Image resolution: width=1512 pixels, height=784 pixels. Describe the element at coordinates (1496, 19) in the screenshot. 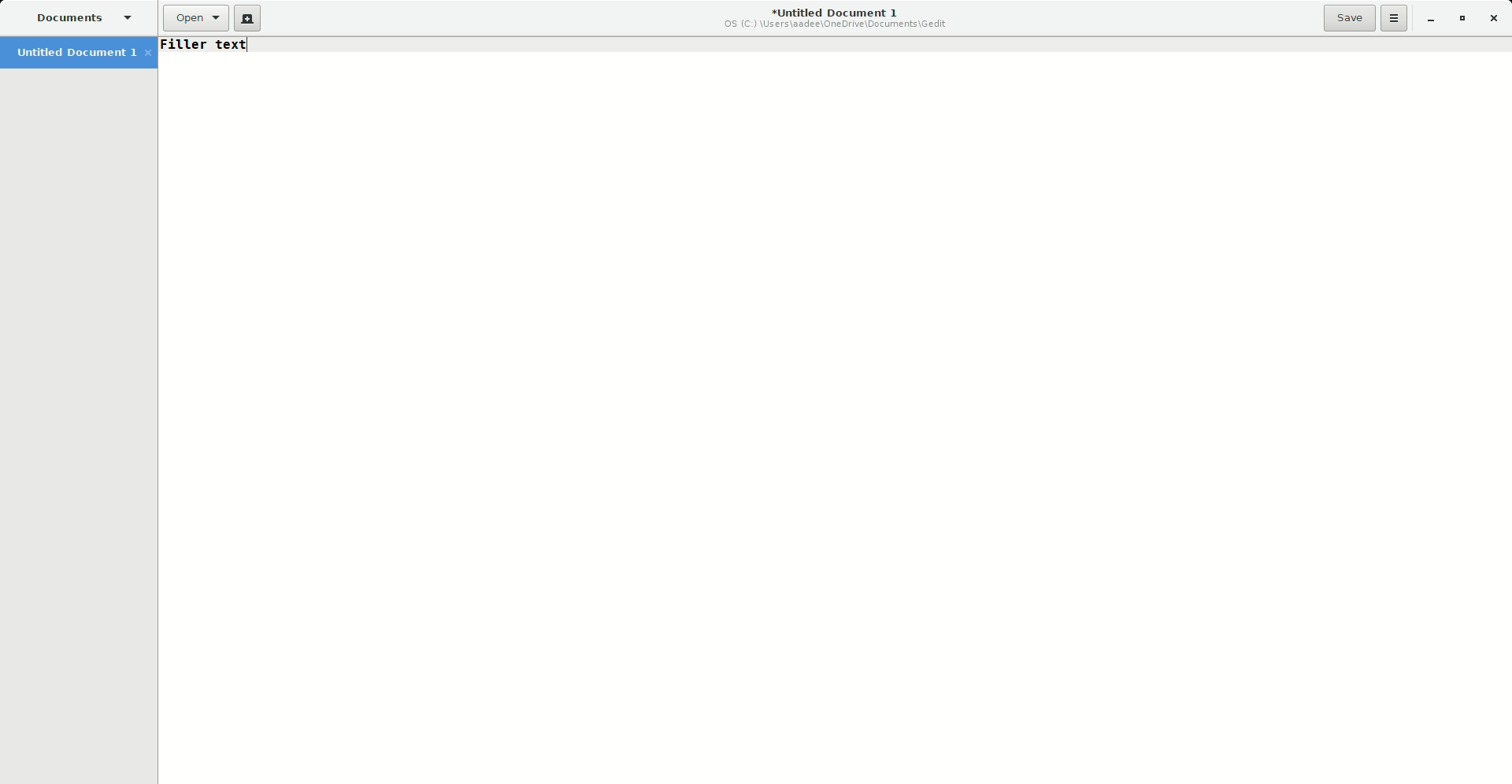

I see `Close` at that location.